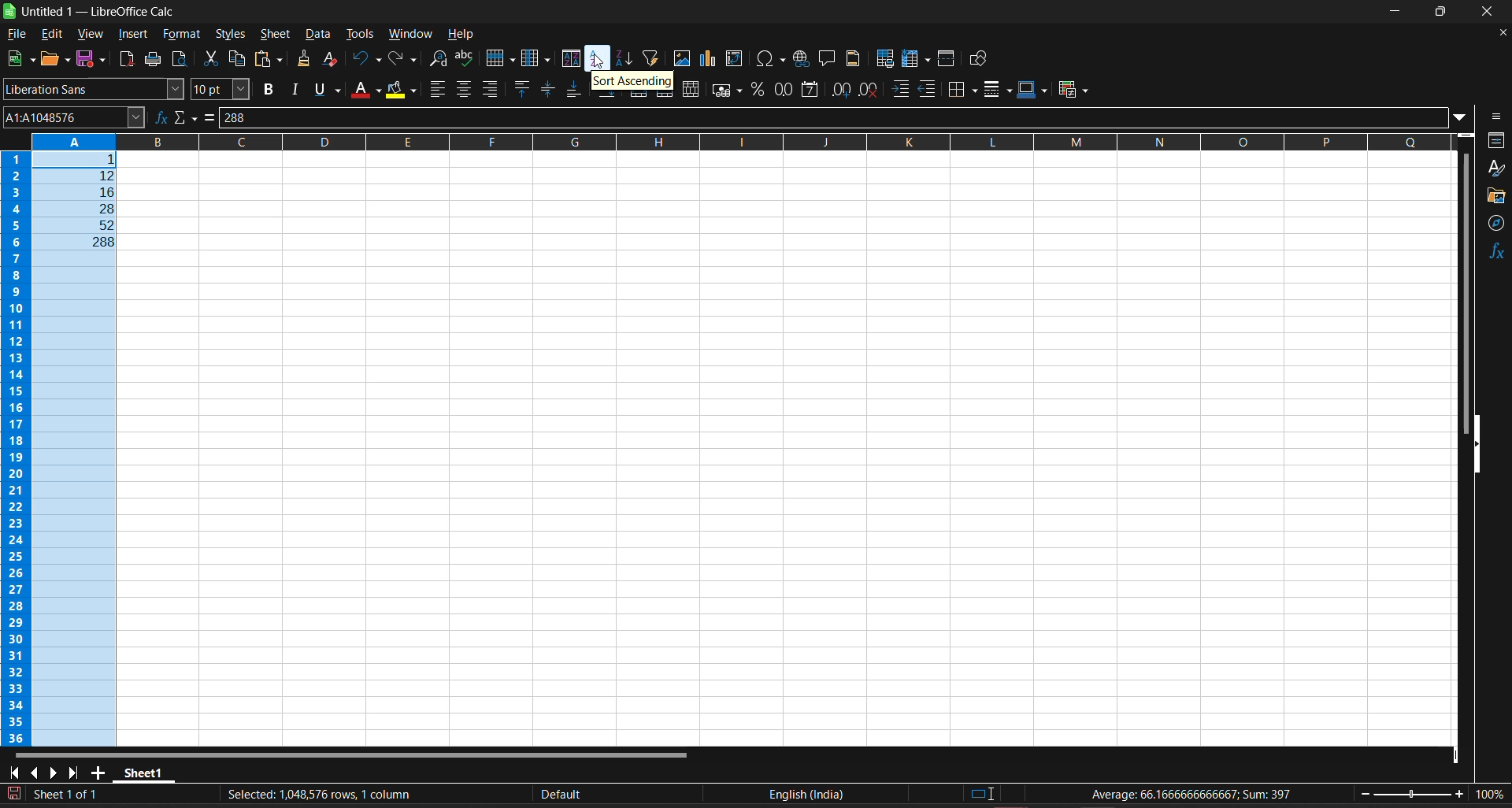  I want to click on show draw function, so click(981, 59).